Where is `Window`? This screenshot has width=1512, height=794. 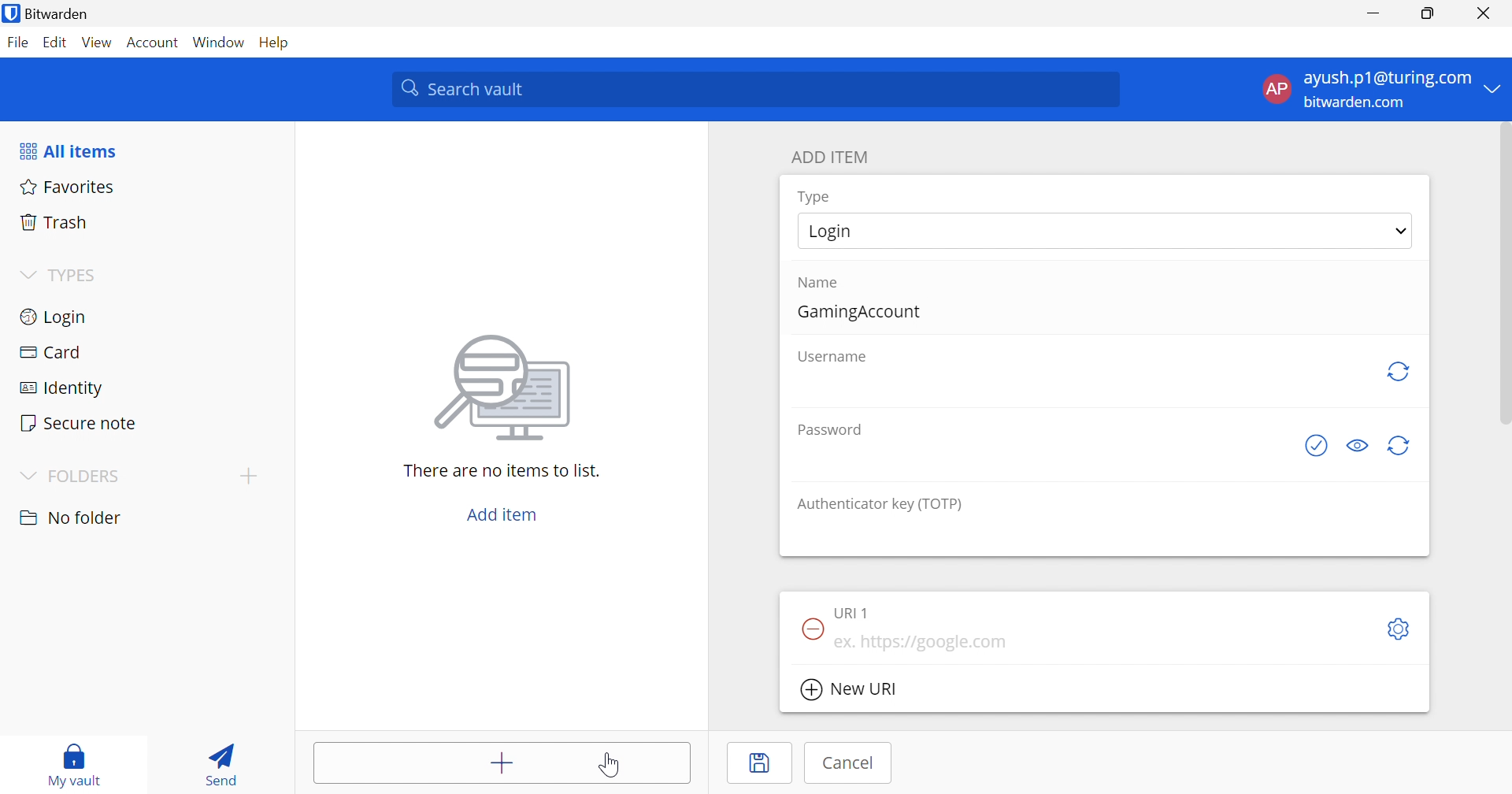
Window is located at coordinates (218, 43).